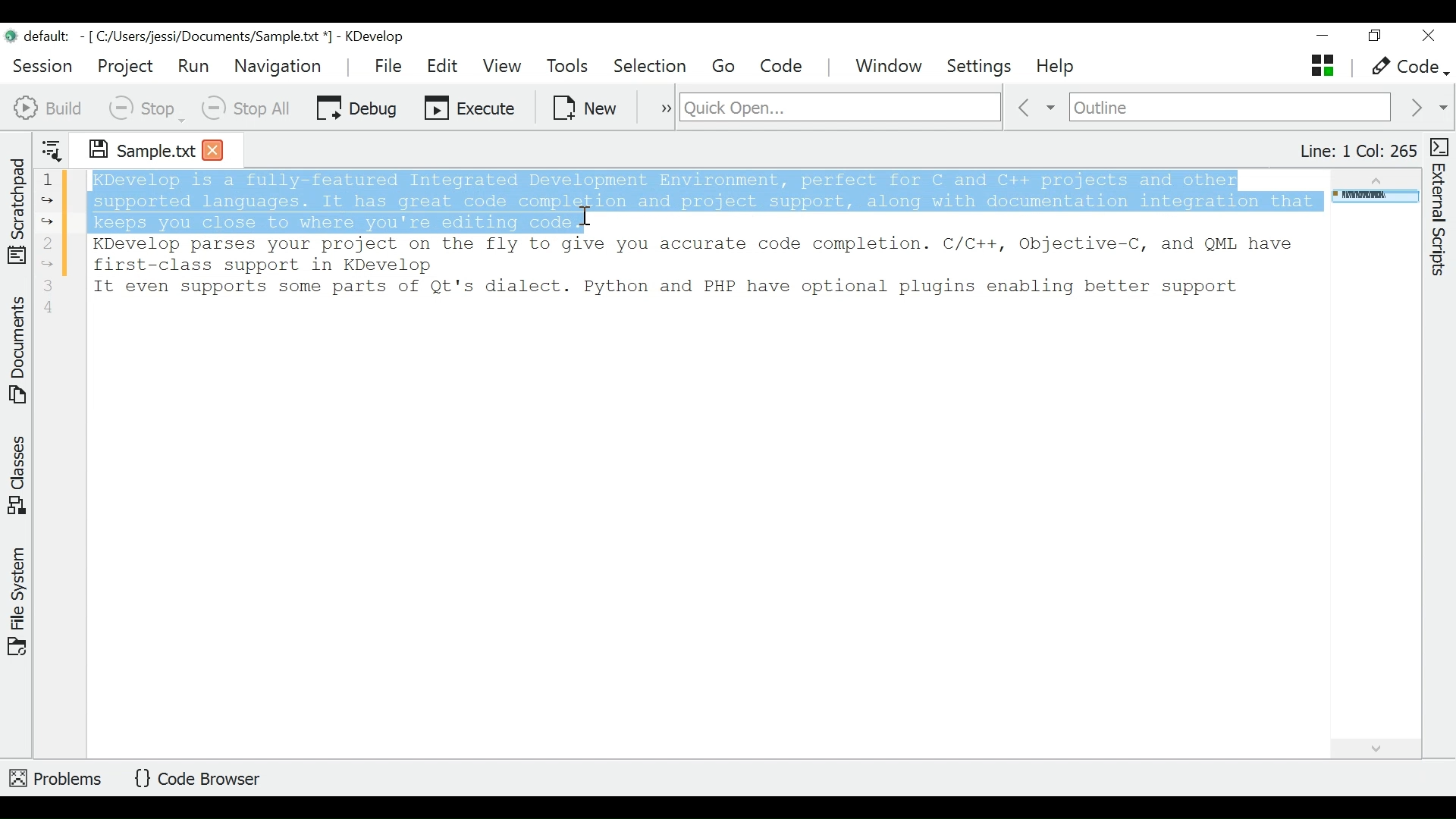 The width and height of the screenshot is (1456, 819). What do you see at coordinates (1373, 38) in the screenshot?
I see `Restore` at bounding box center [1373, 38].